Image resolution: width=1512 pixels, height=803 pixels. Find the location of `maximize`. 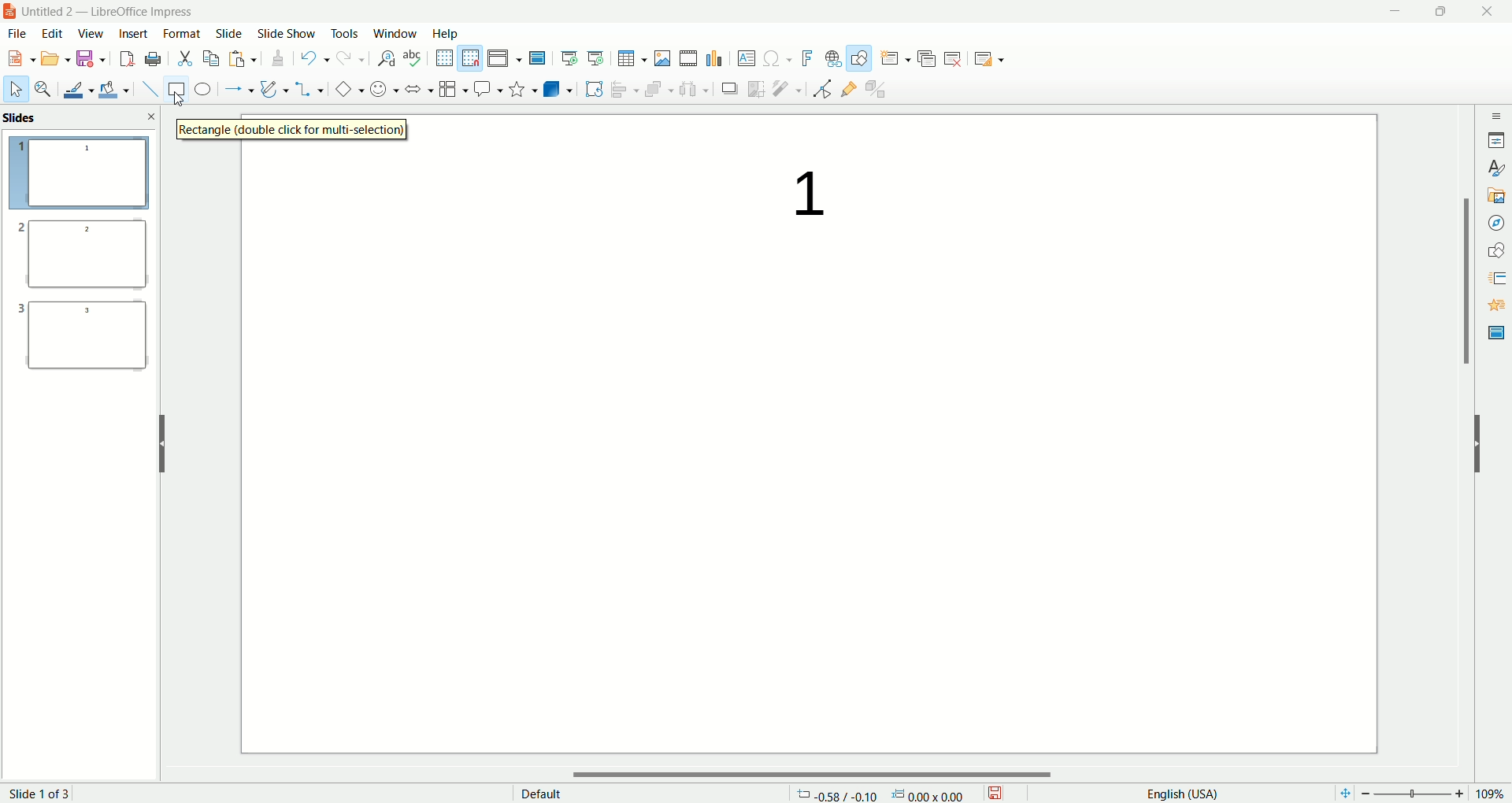

maximize is located at coordinates (1440, 13).